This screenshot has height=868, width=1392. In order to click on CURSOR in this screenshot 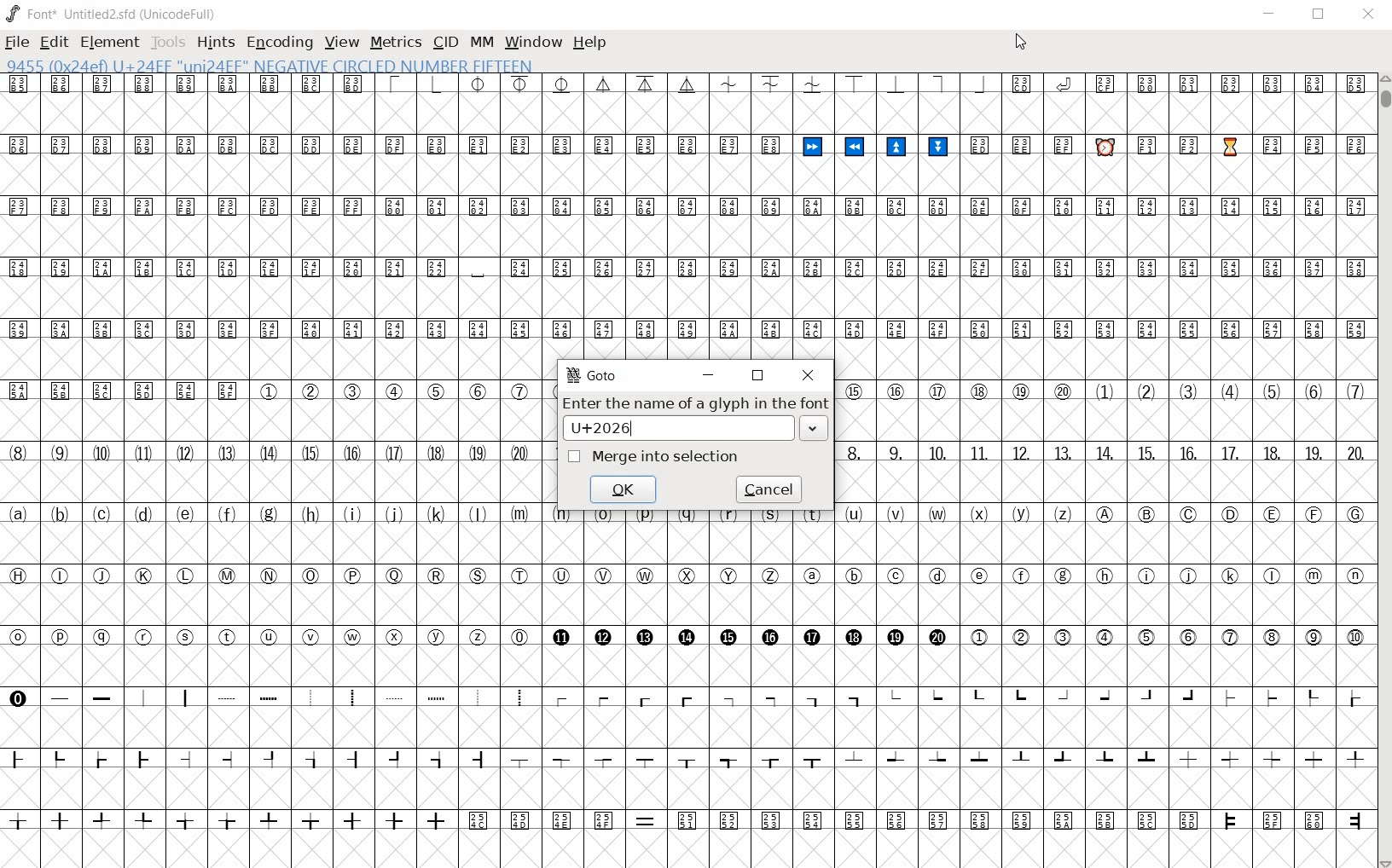, I will do `click(1019, 42)`.